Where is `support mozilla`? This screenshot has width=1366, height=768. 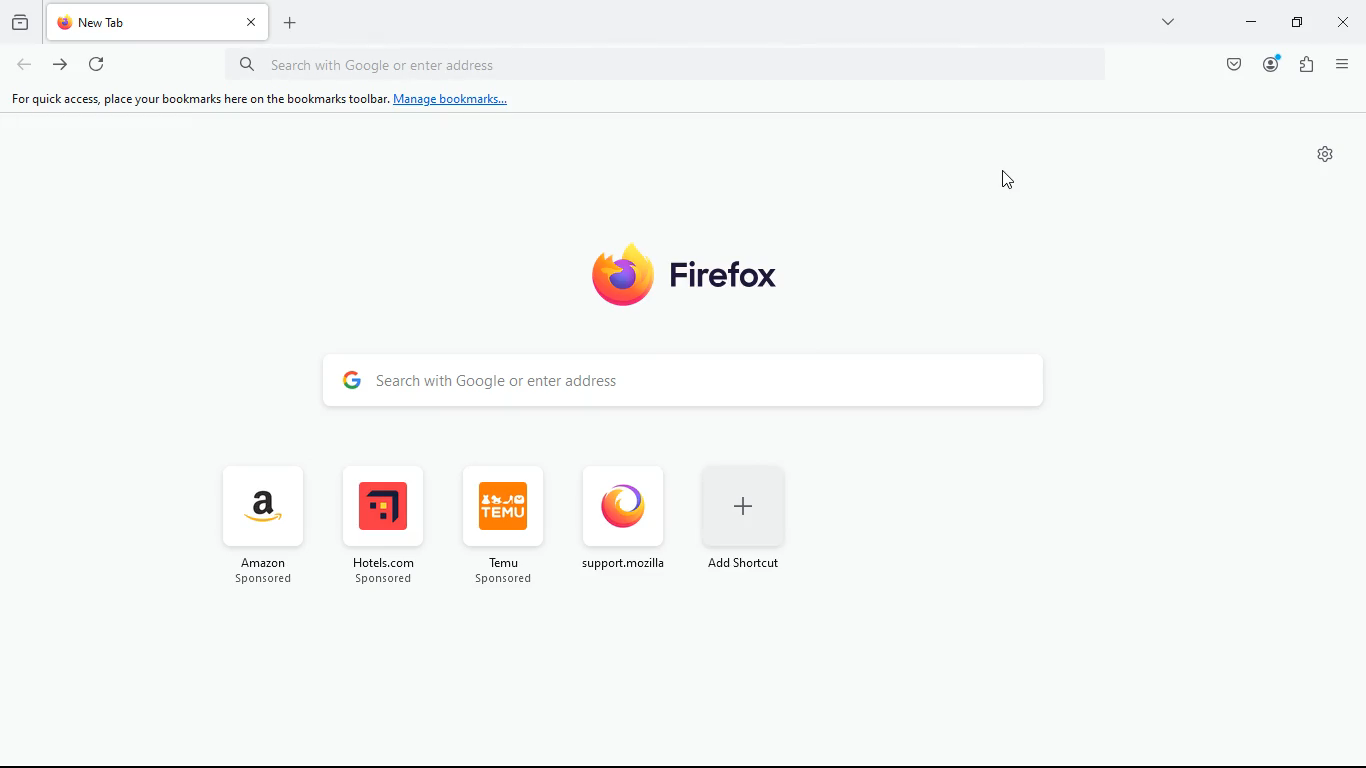
support mozilla is located at coordinates (622, 528).